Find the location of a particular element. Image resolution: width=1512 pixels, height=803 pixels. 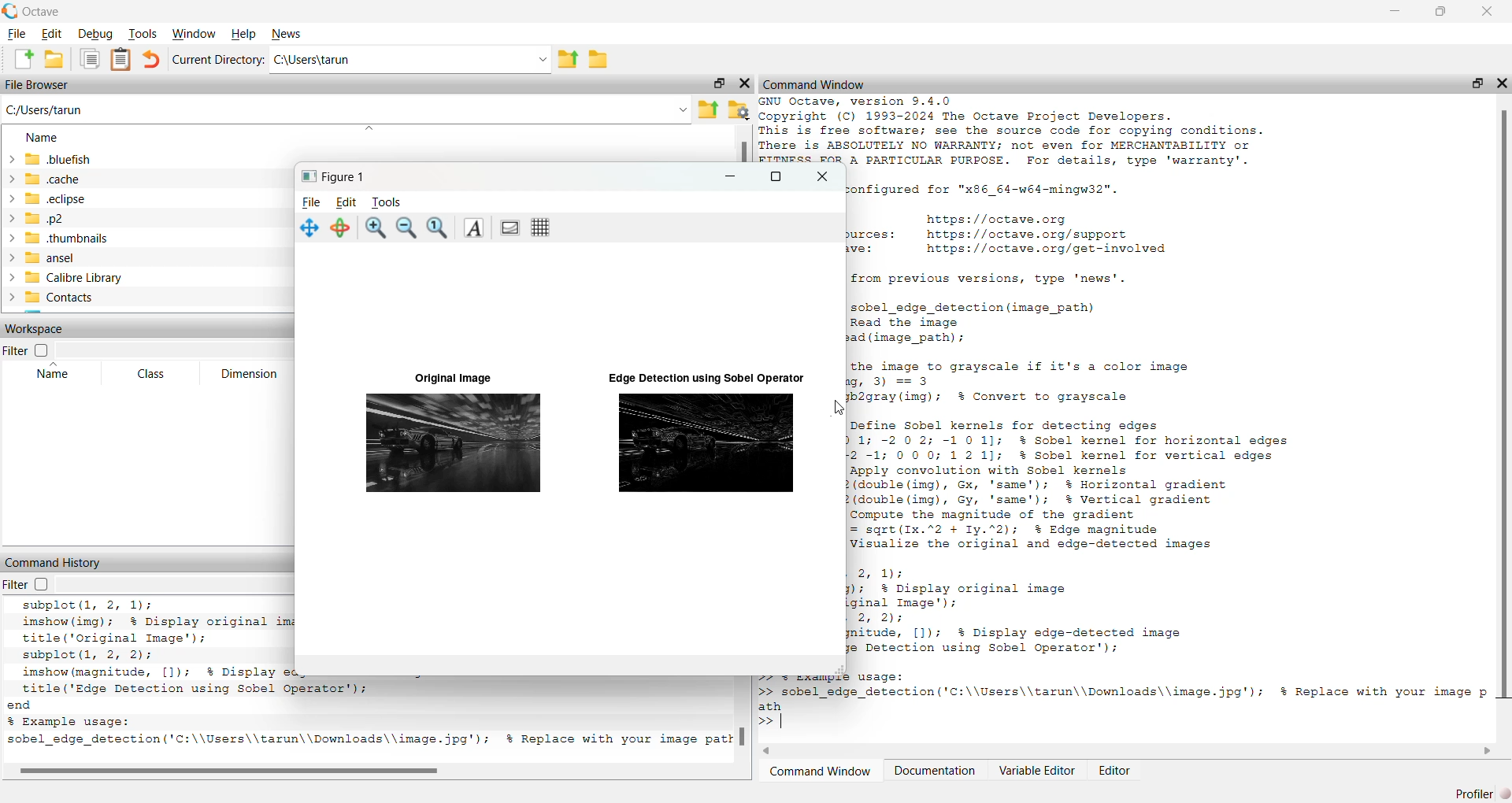

Documentation is located at coordinates (938, 773).